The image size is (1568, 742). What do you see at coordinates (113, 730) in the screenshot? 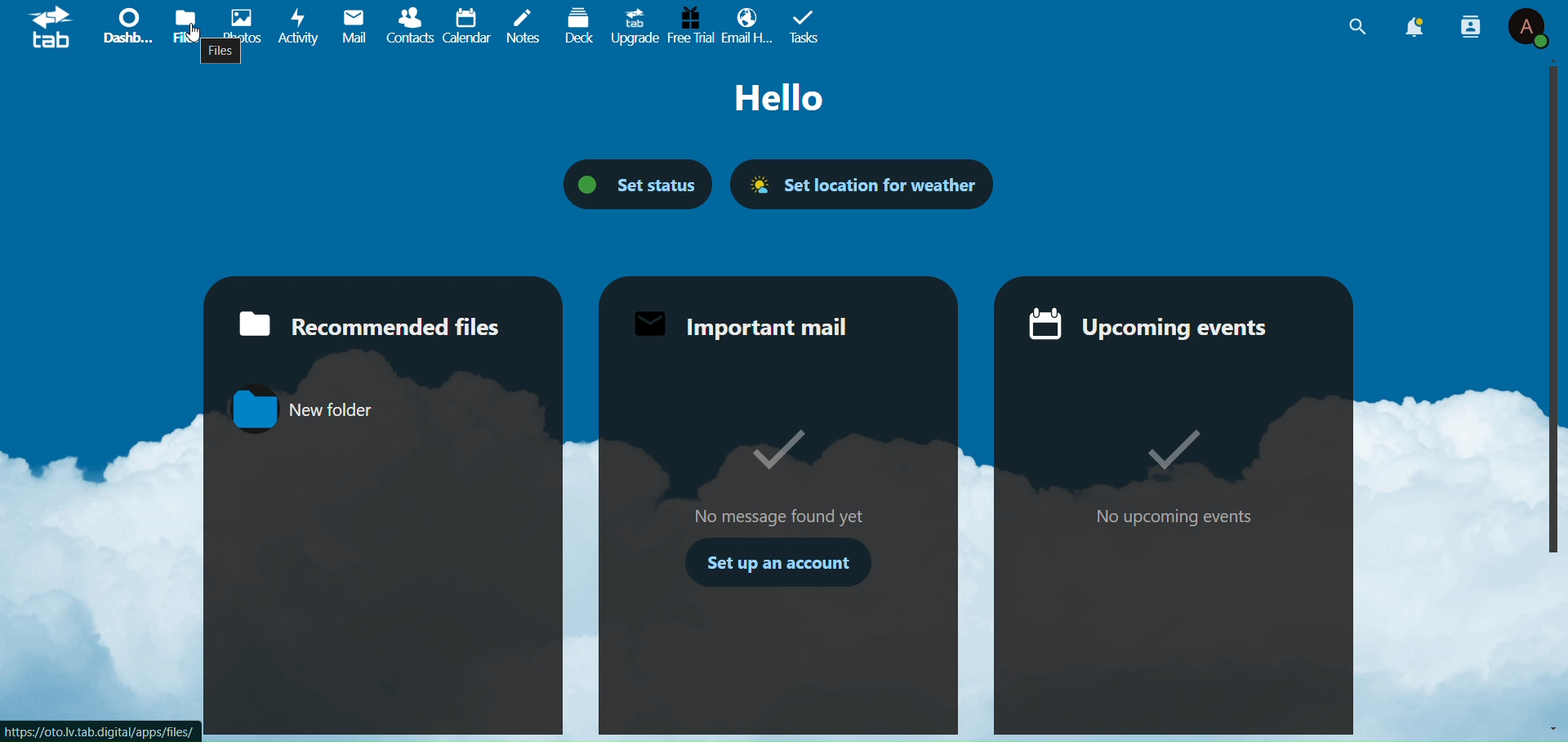
I see `Link` at bounding box center [113, 730].